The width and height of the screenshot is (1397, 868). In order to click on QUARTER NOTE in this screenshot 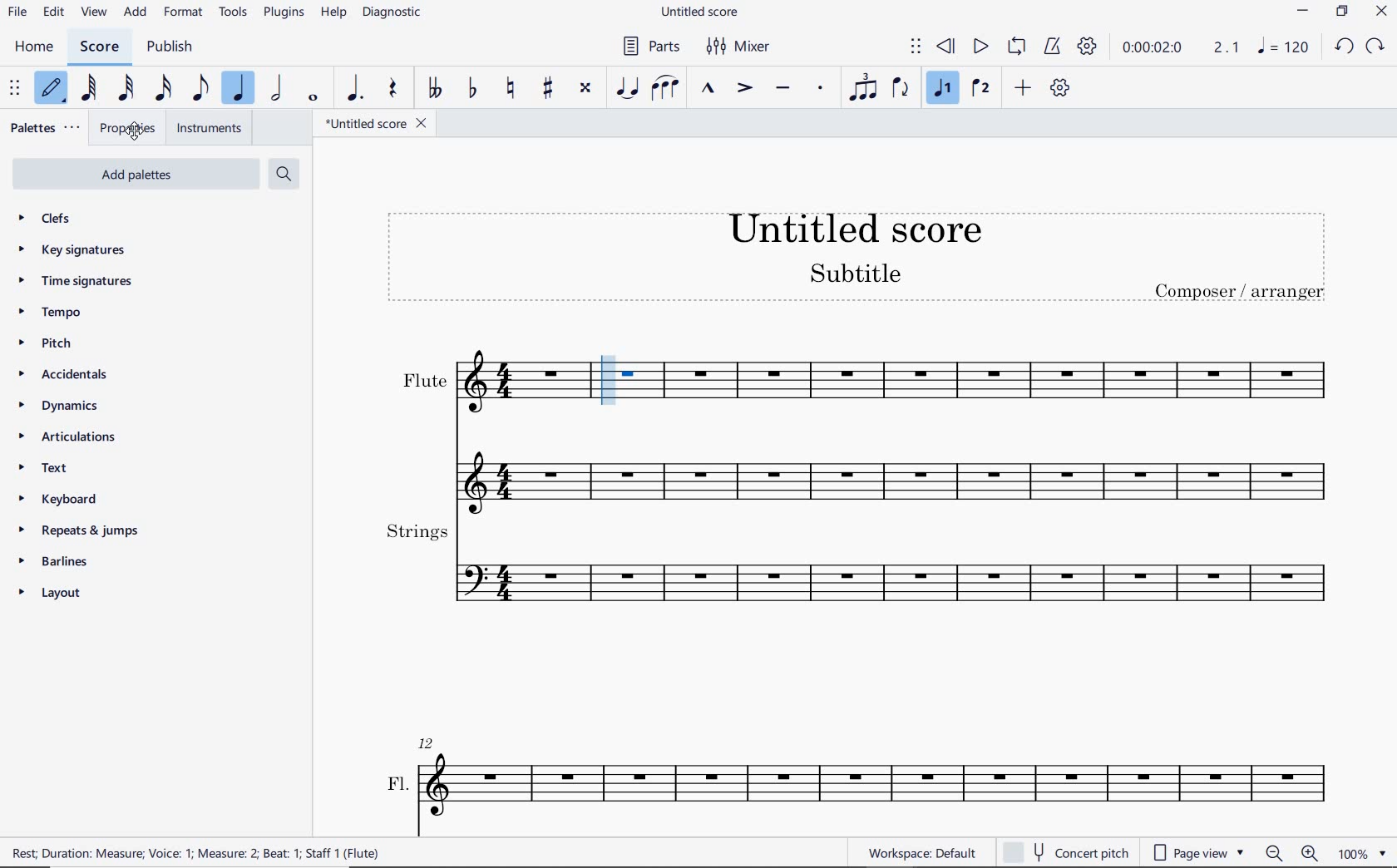, I will do `click(240, 89)`.